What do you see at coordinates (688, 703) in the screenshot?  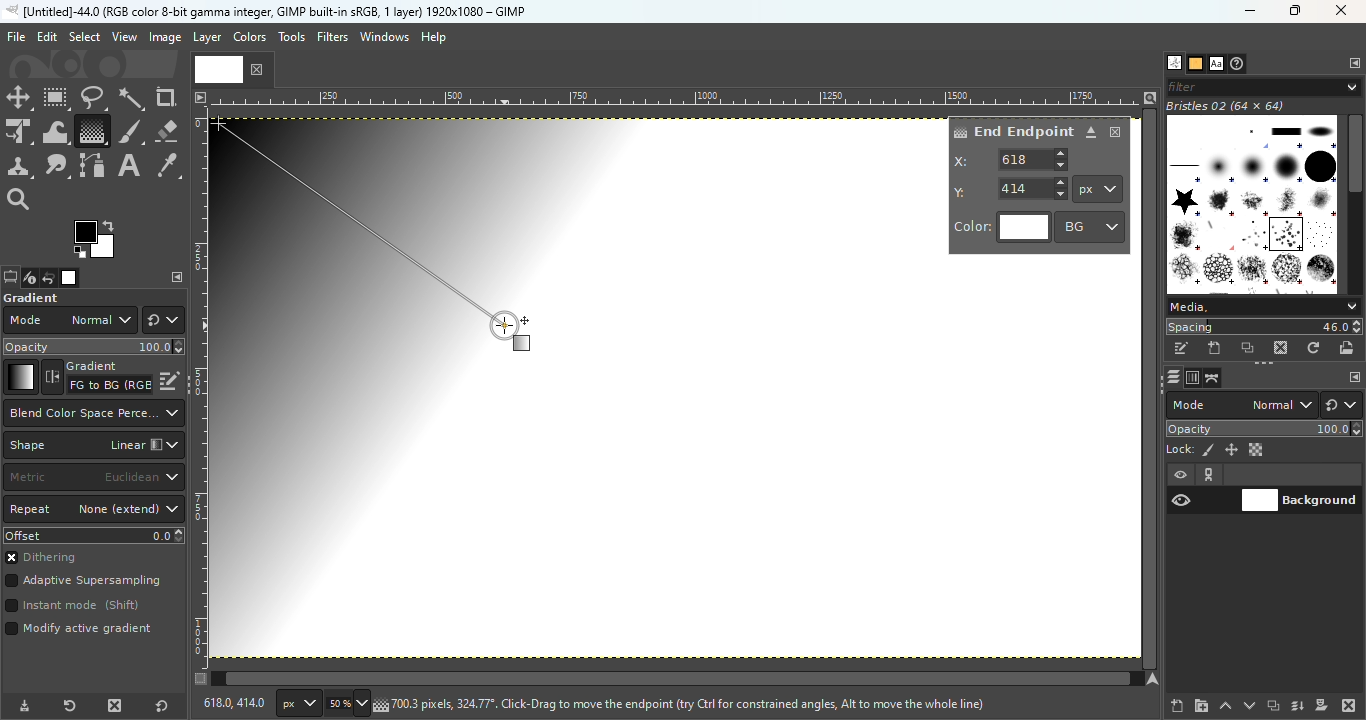 I see `700.3 pixels 324.77 click drag to move the endpoint (try ctrl for constrained angles, alt to move the whole line)` at bounding box center [688, 703].